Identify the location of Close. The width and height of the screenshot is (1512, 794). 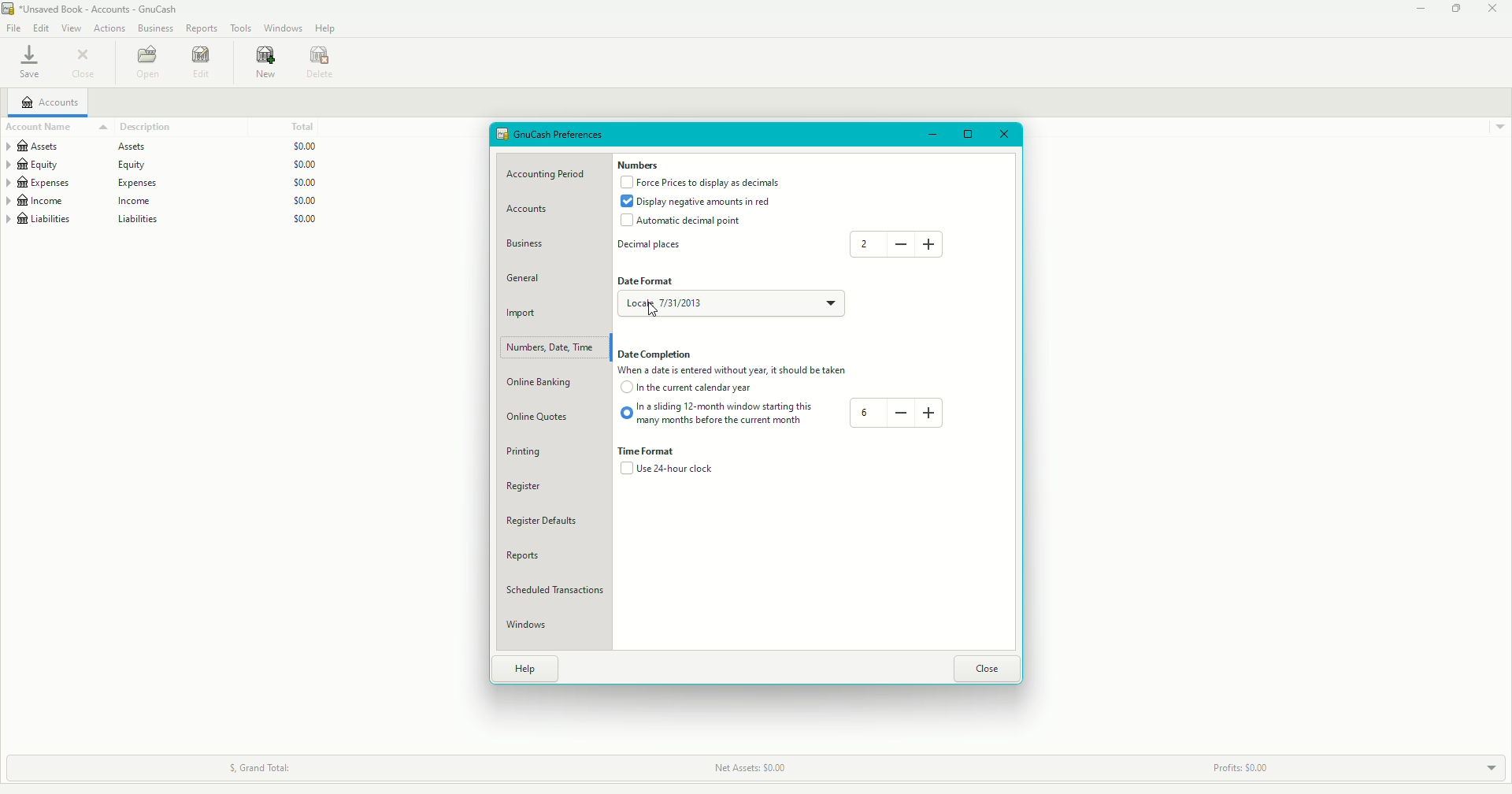
(1003, 133).